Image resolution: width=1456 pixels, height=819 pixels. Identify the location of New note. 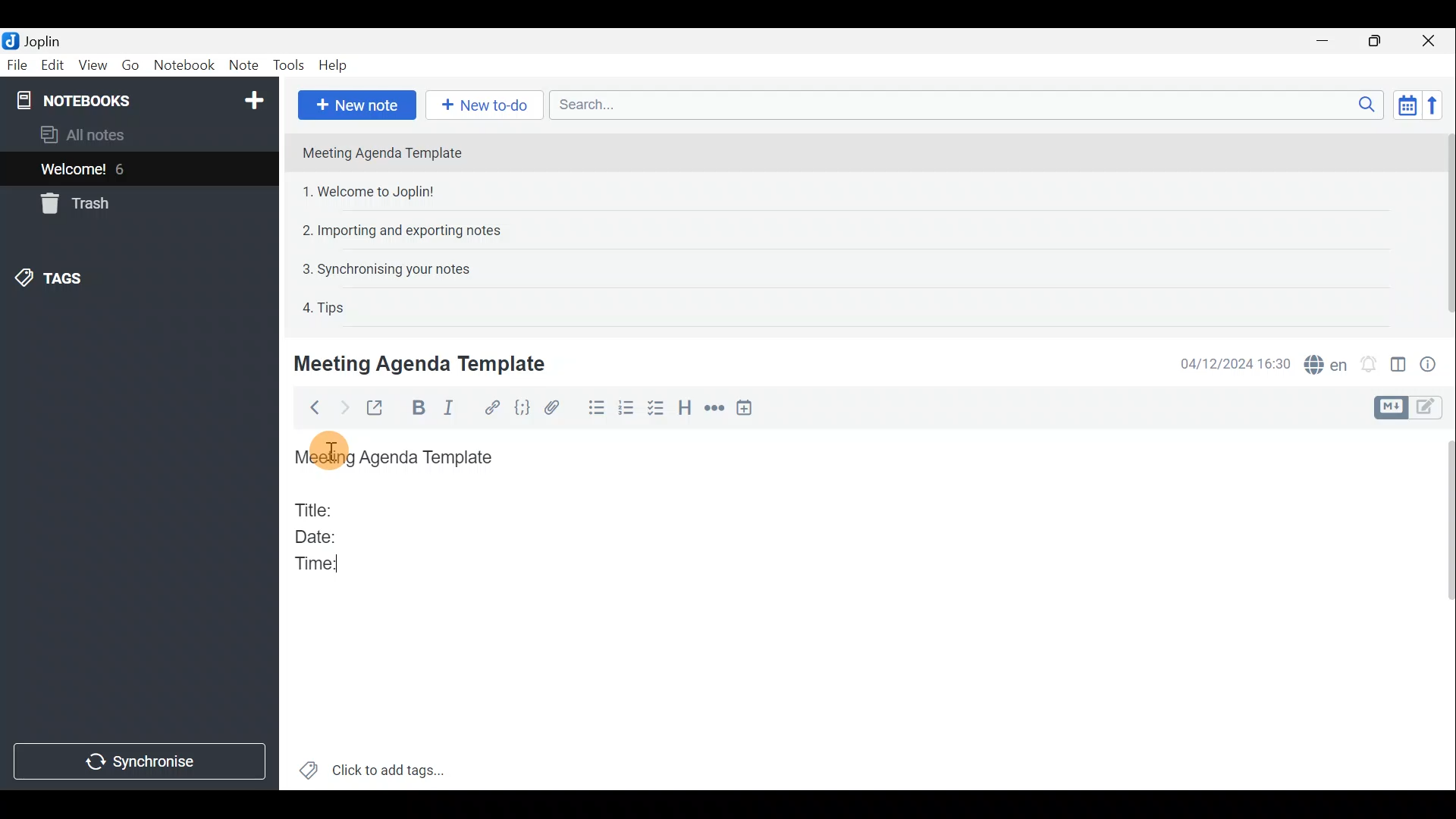
(357, 105).